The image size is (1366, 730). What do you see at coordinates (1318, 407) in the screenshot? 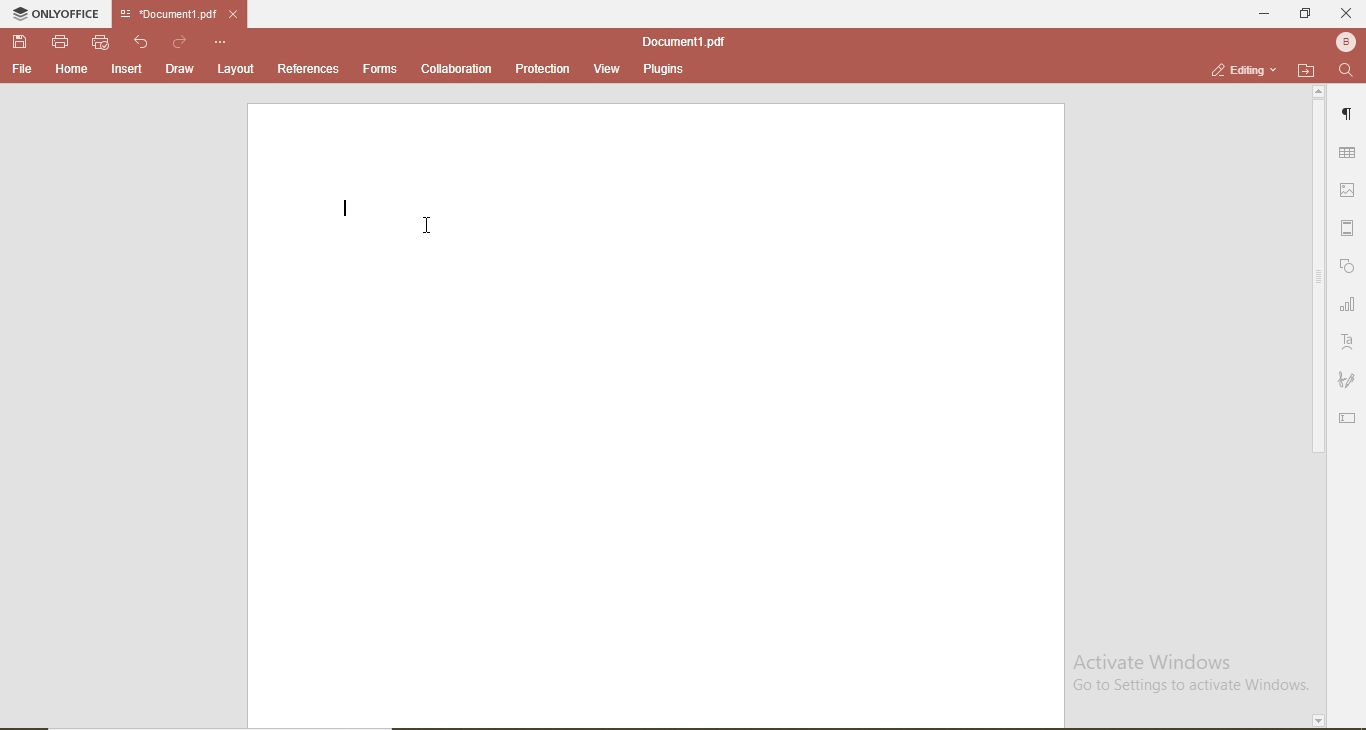
I see `scroll bar` at bounding box center [1318, 407].